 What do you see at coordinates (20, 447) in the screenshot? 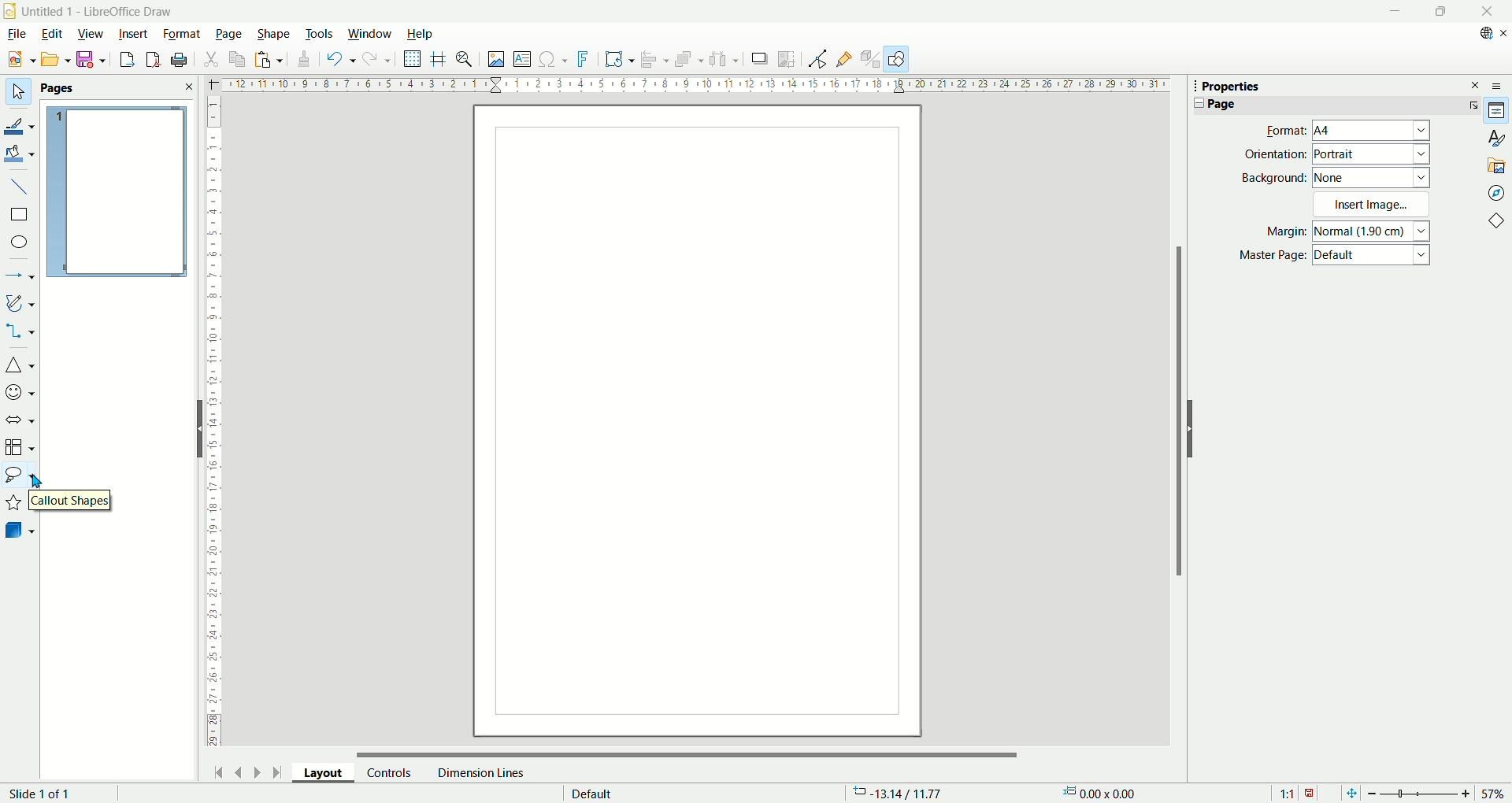
I see `flowchart` at bounding box center [20, 447].